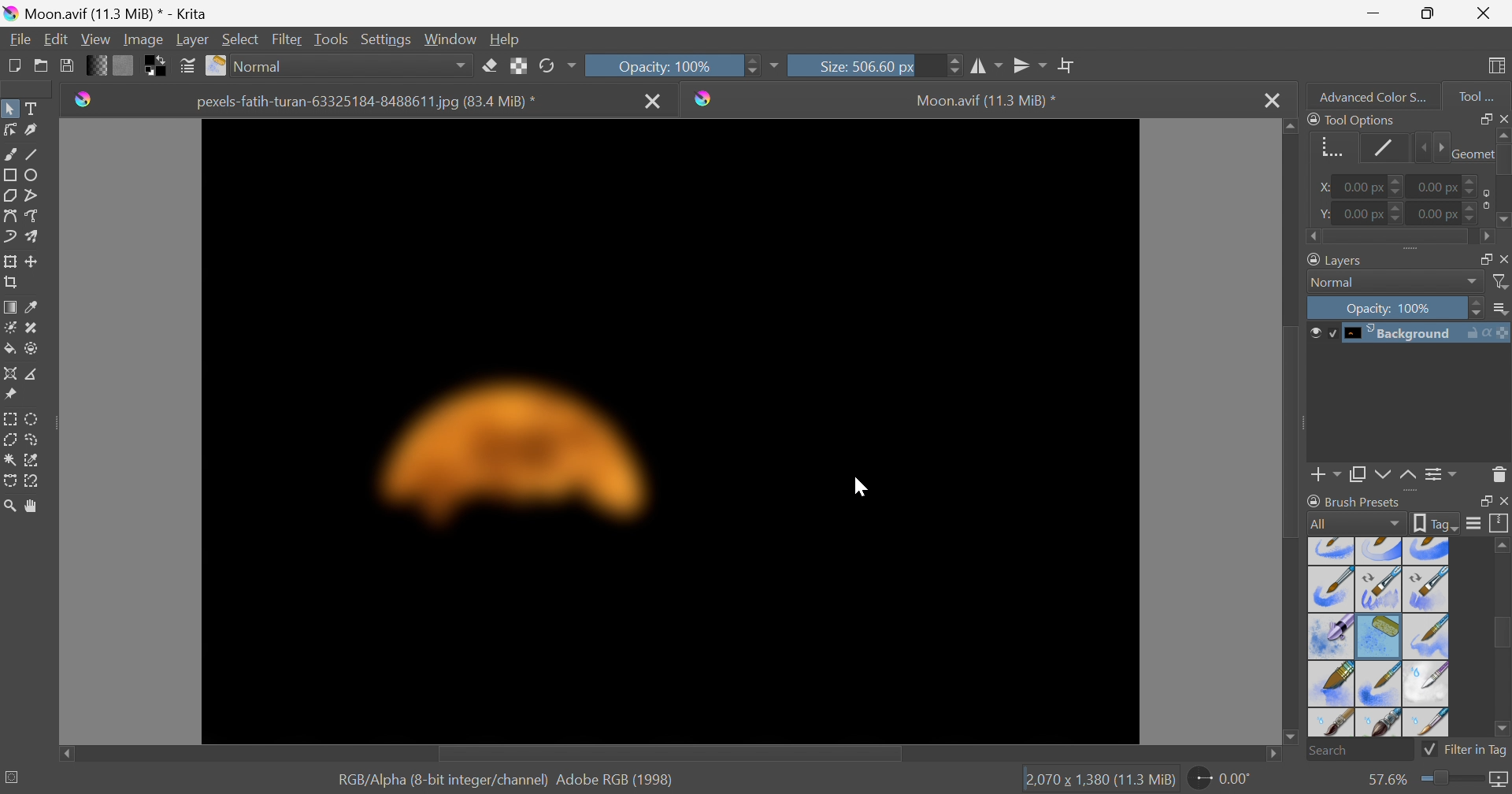 This screenshot has width=1512, height=794. I want to click on Restore down, so click(1428, 13).